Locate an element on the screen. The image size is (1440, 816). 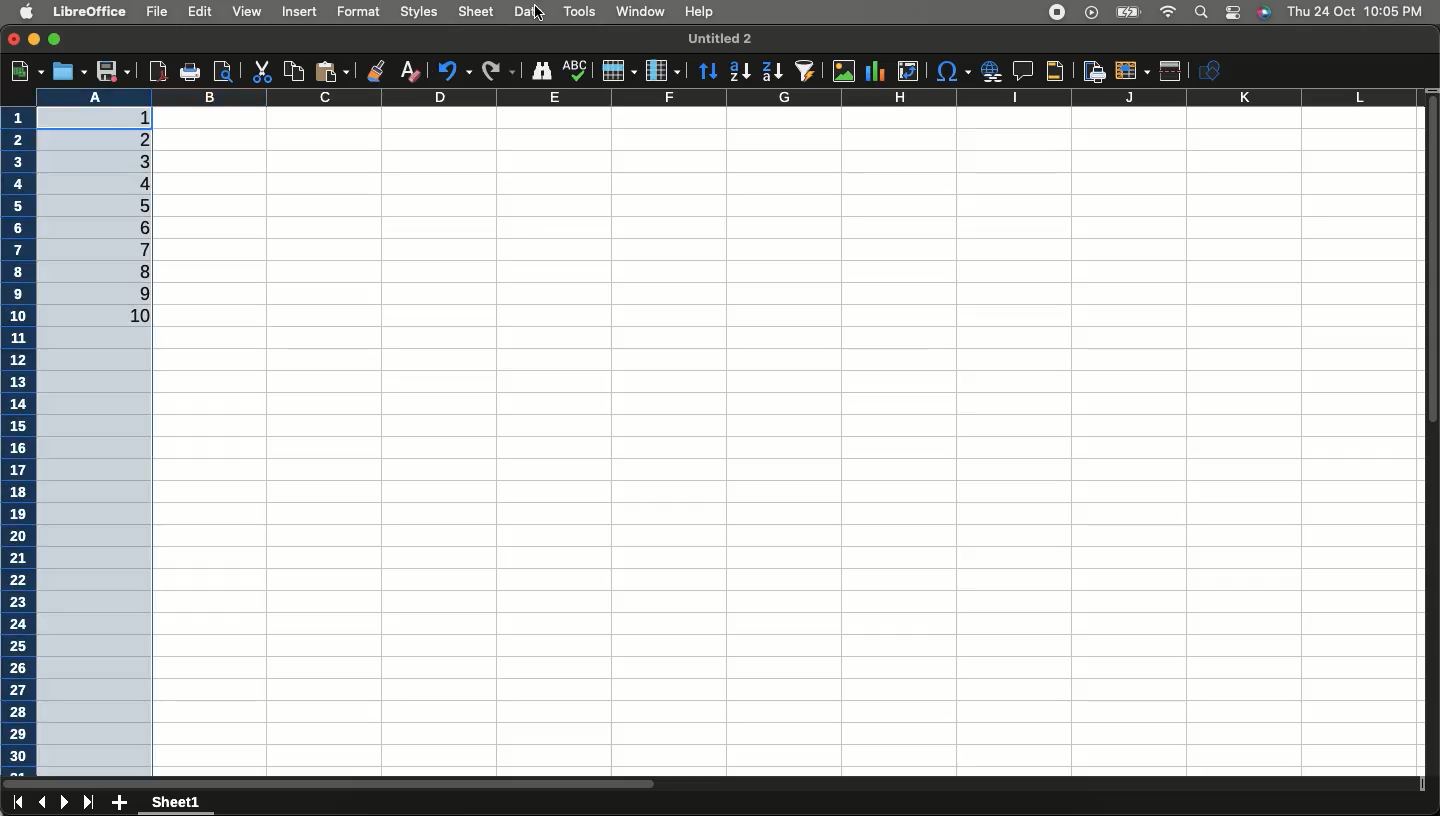
Redo is located at coordinates (498, 69).